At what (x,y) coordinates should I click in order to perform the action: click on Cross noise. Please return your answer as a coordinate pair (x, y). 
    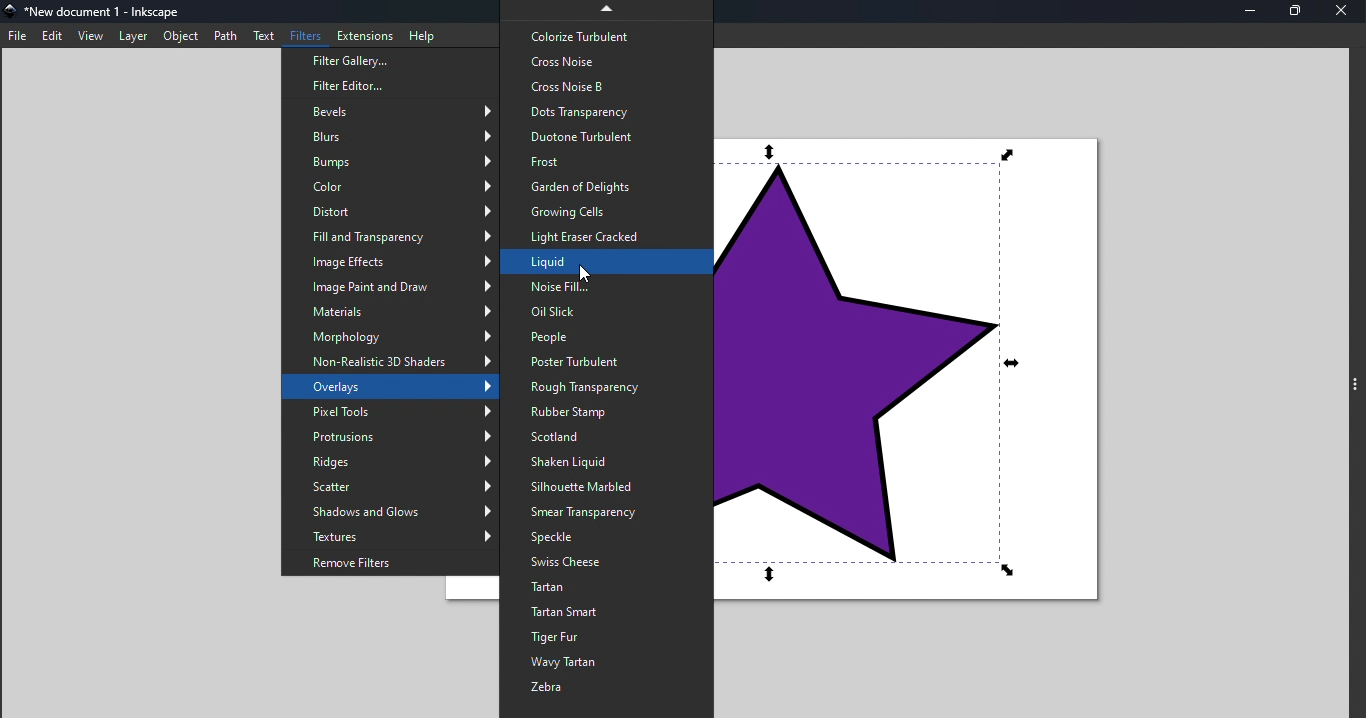
    Looking at the image, I should click on (606, 61).